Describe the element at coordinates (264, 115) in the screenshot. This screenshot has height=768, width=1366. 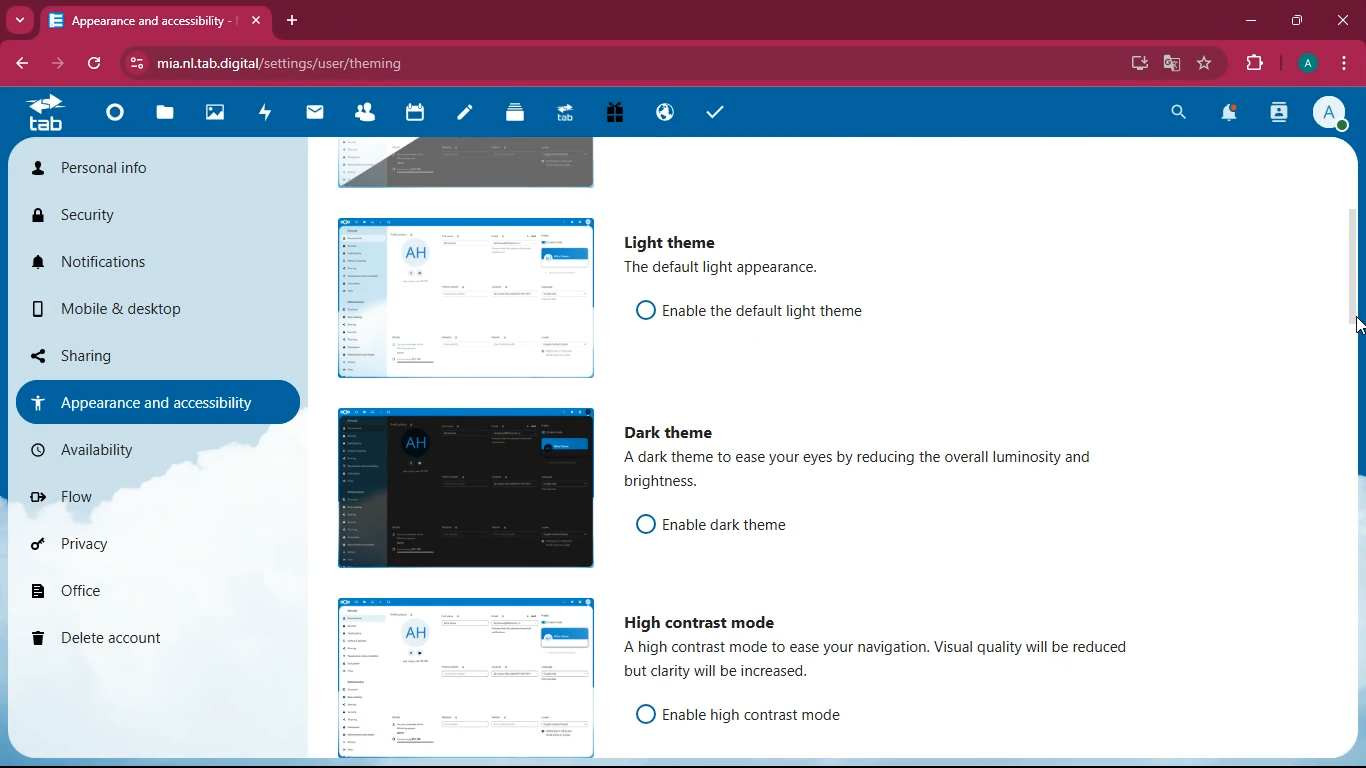
I see `activity` at that location.